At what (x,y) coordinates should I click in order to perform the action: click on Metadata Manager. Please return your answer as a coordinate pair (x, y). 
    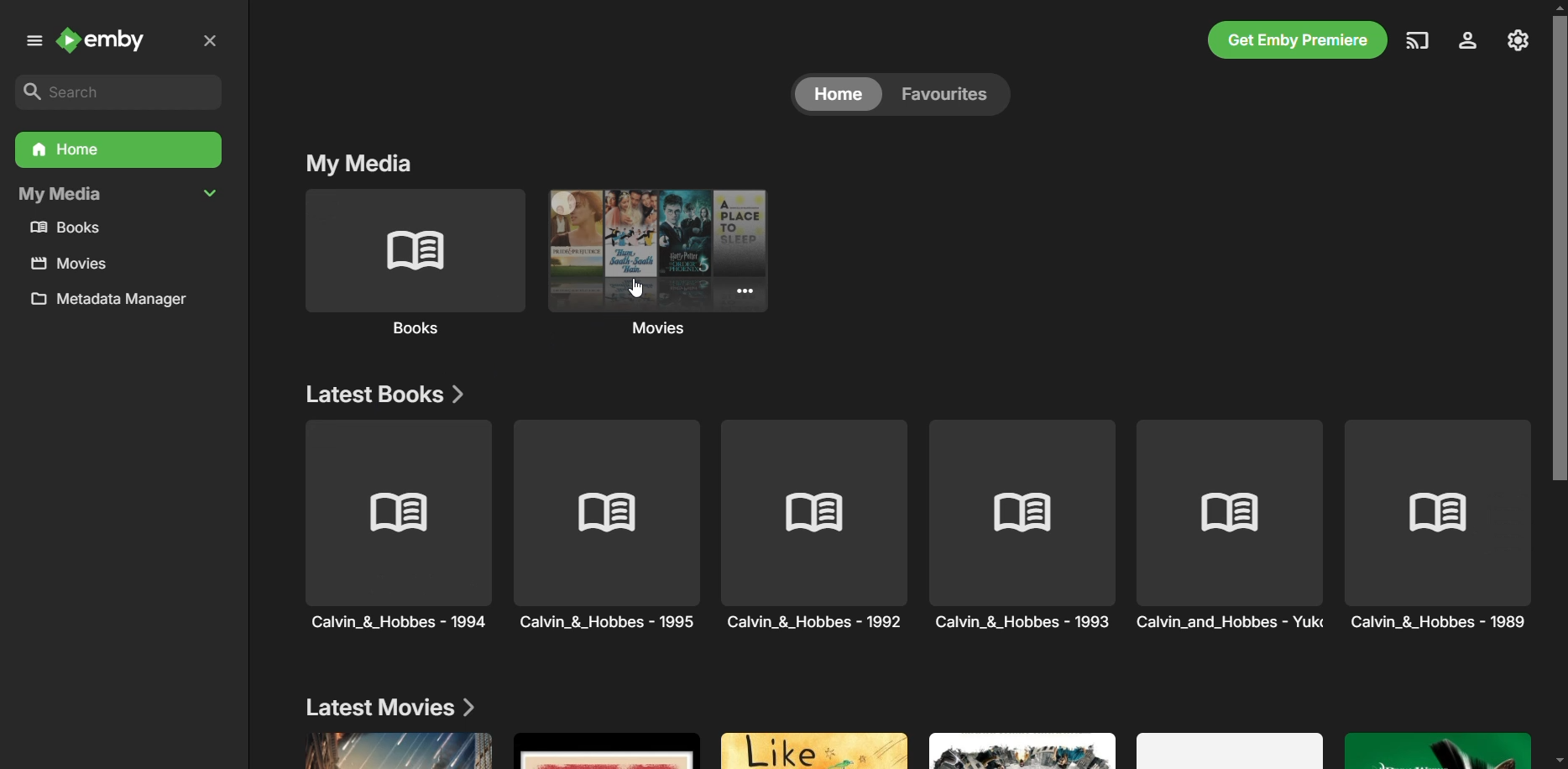
    Looking at the image, I should click on (114, 303).